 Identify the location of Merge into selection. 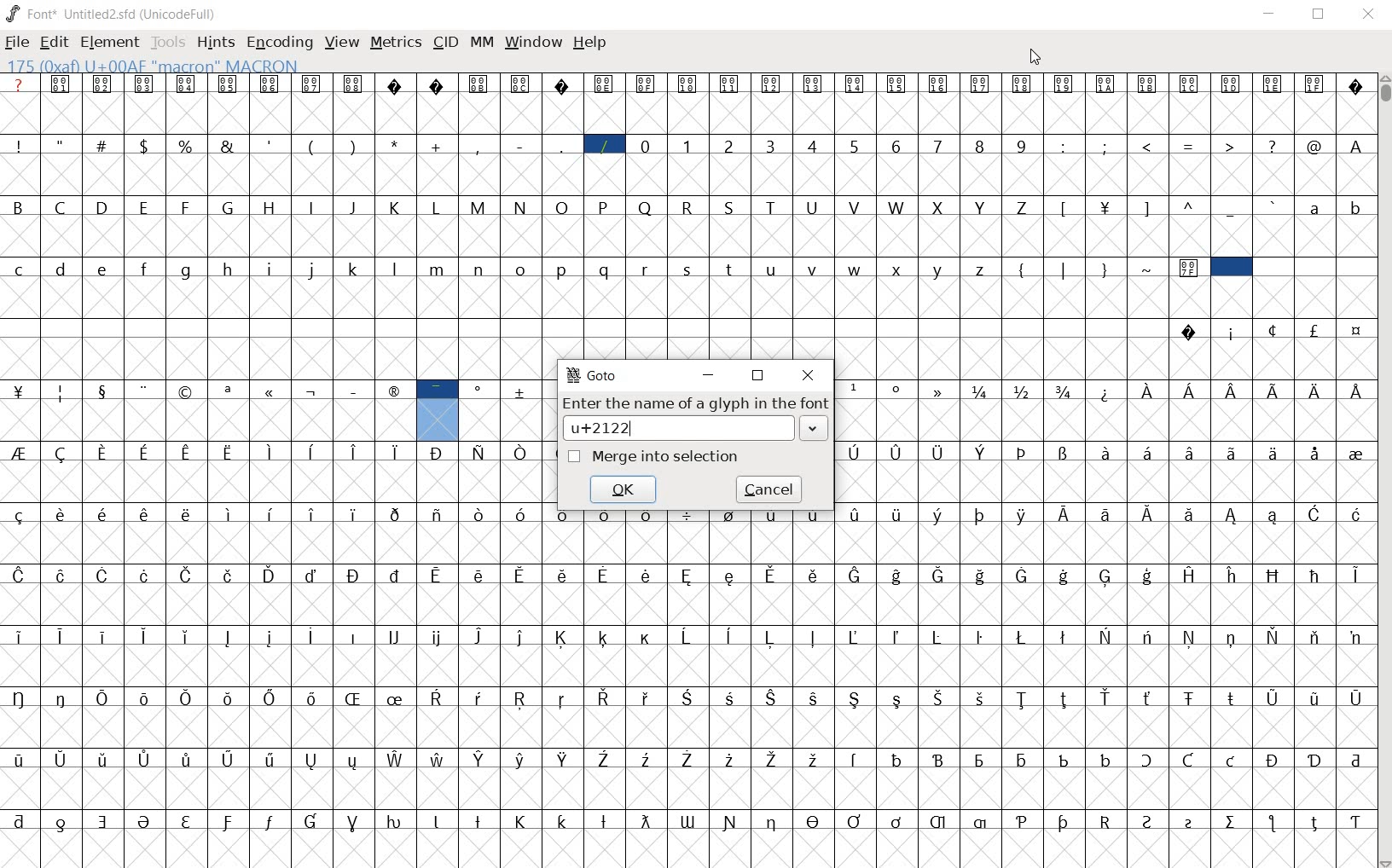
(656, 457).